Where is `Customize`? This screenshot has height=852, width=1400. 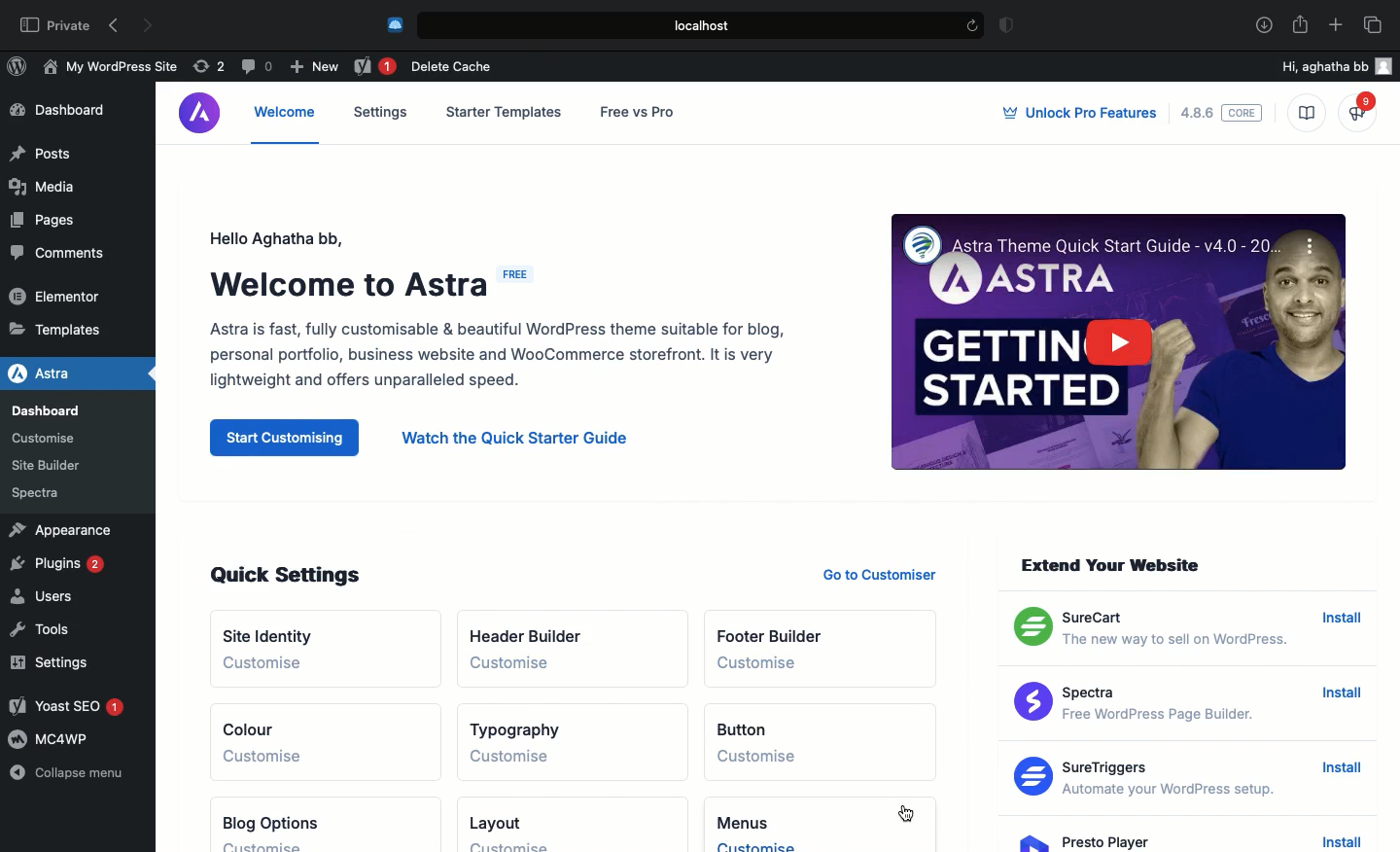
Customize is located at coordinates (507, 662).